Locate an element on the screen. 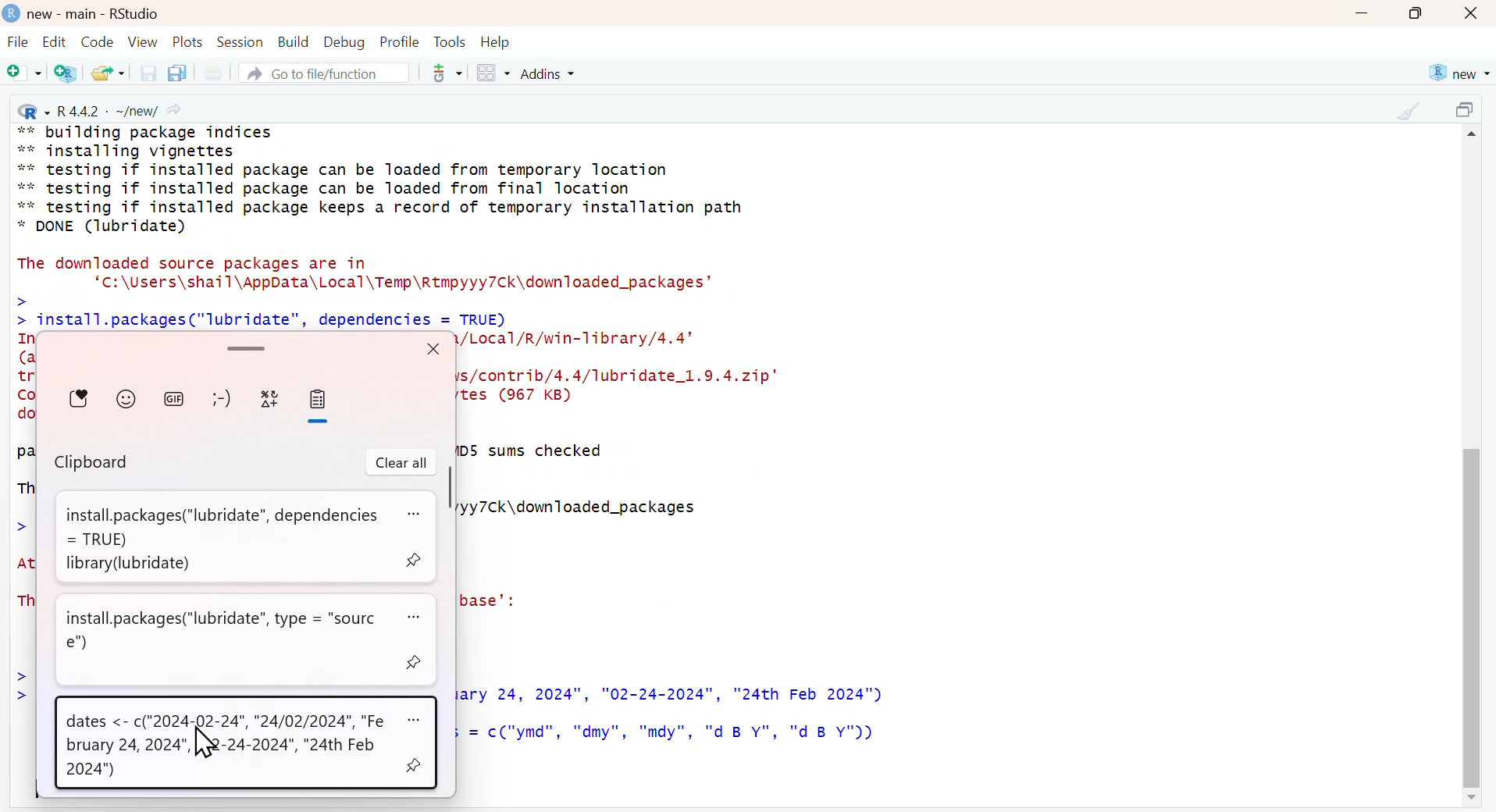 The height and width of the screenshot is (812, 1496). Create a project is located at coordinates (67, 73).